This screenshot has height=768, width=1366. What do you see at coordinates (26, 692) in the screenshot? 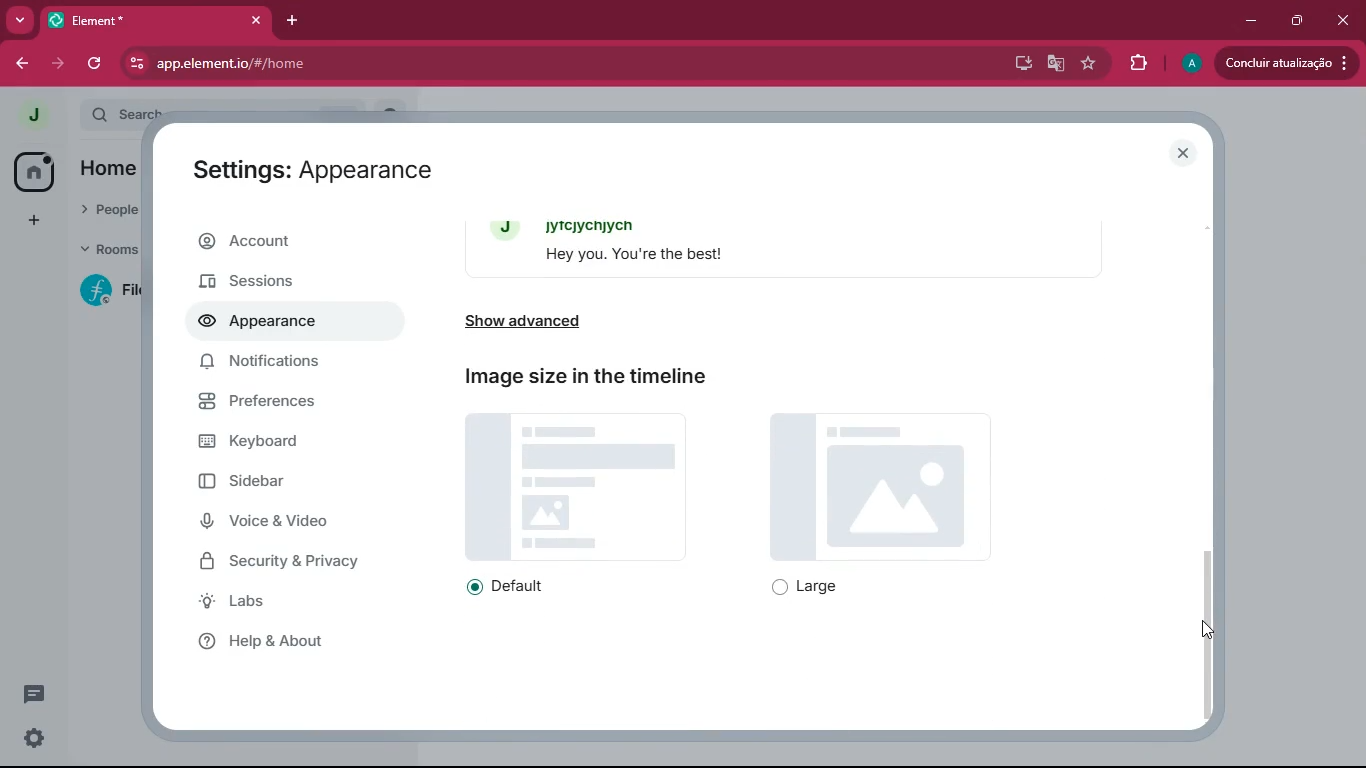
I see `conversations` at bounding box center [26, 692].